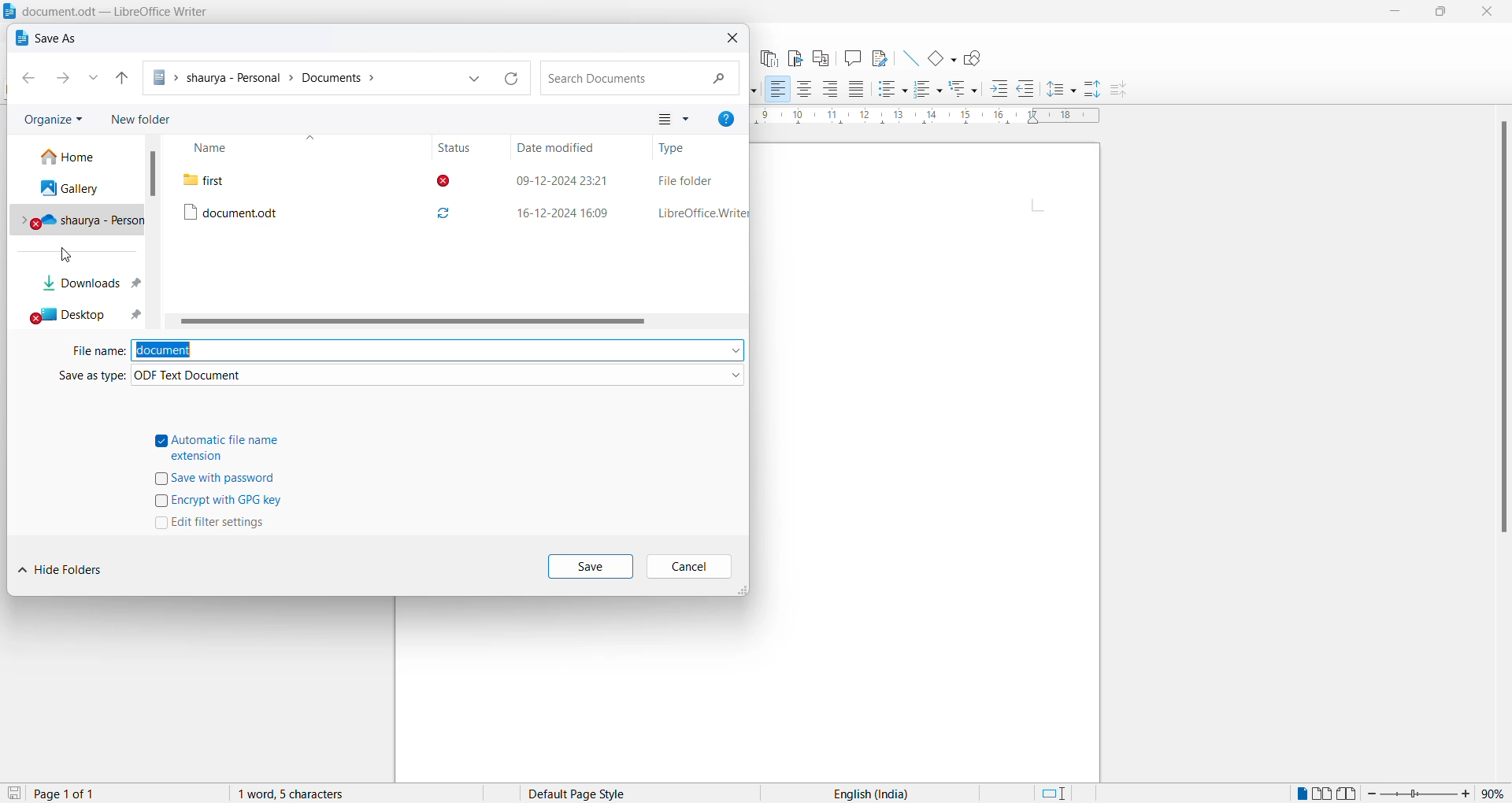 The width and height of the screenshot is (1512, 803). What do you see at coordinates (48, 39) in the screenshot?
I see `Save as` at bounding box center [48, 39].